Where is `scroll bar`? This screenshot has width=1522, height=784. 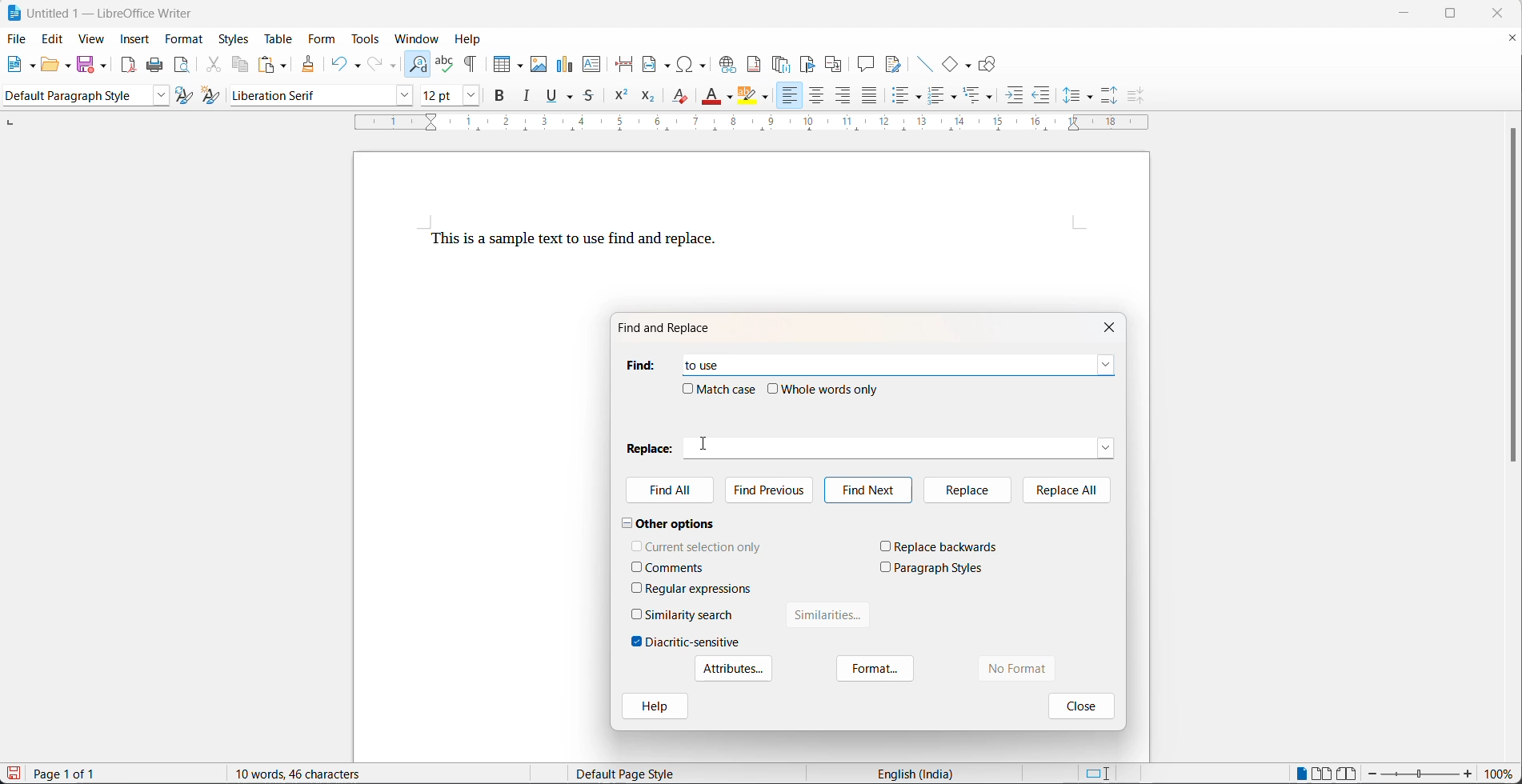 scroll bar is located at coordinates (1512, 303).